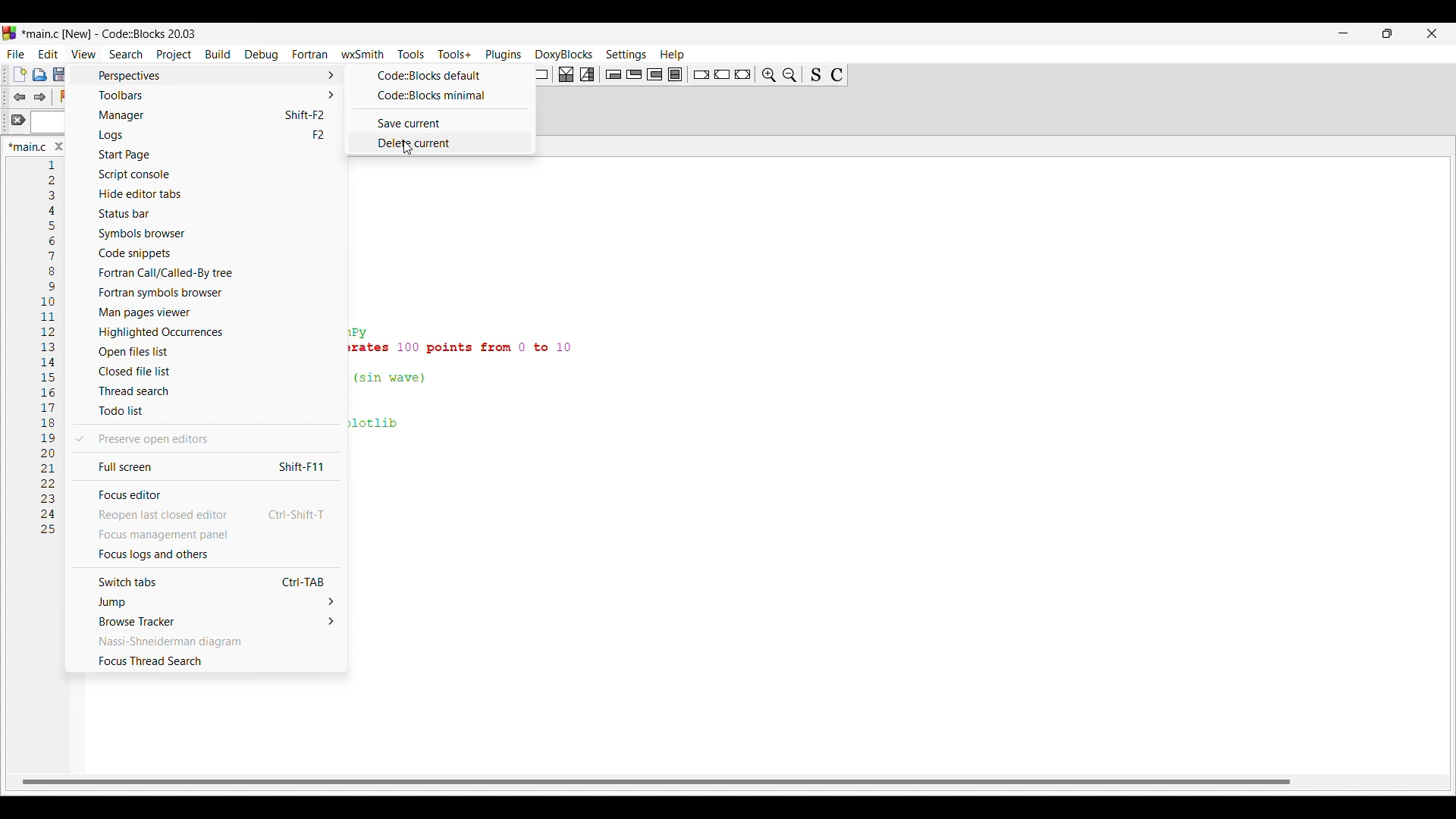 This screenshot has width=1456, height=819. I want to click on Search menu, so click(126, 55).